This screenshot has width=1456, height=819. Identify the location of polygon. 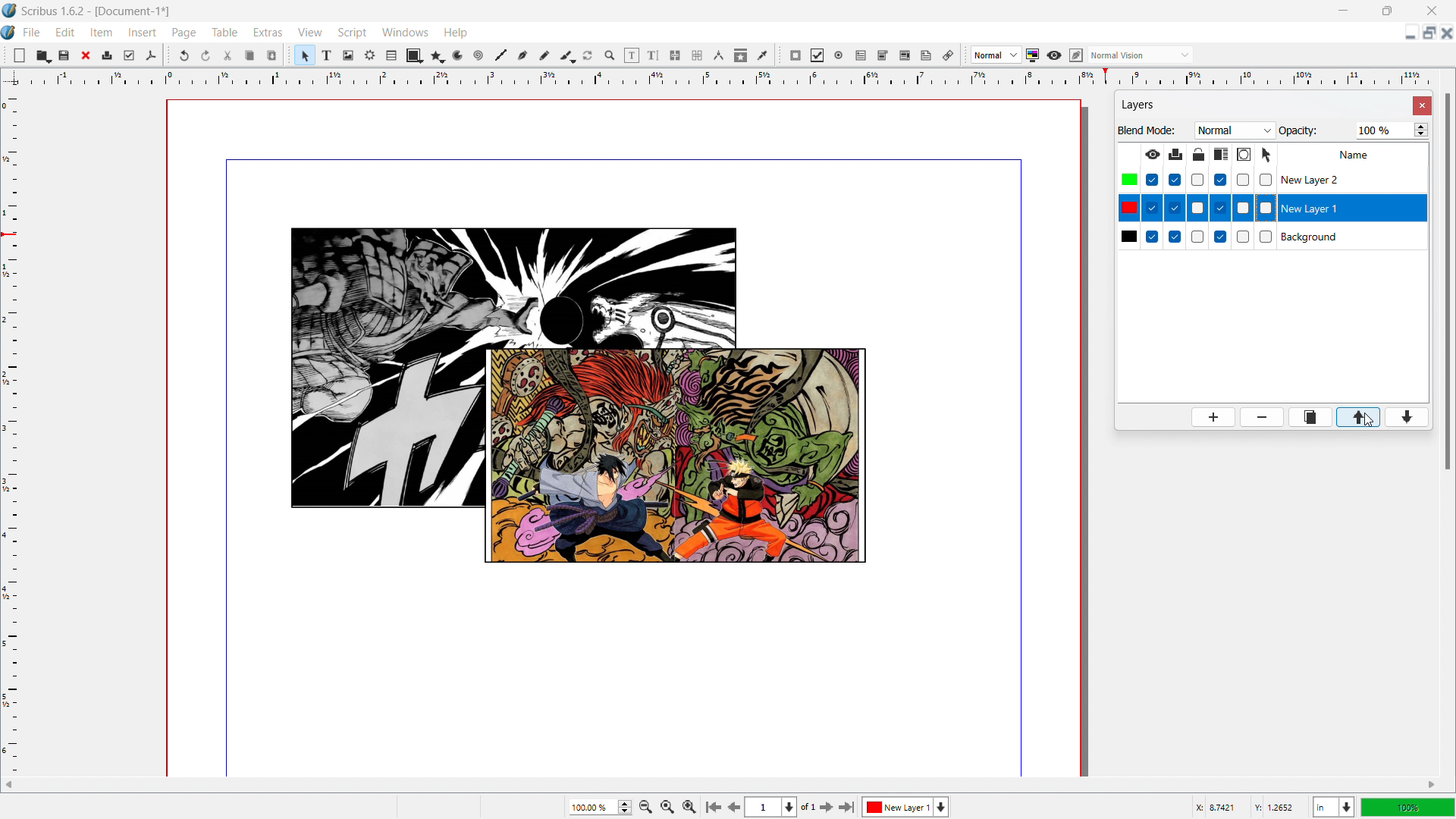
(438, 55).